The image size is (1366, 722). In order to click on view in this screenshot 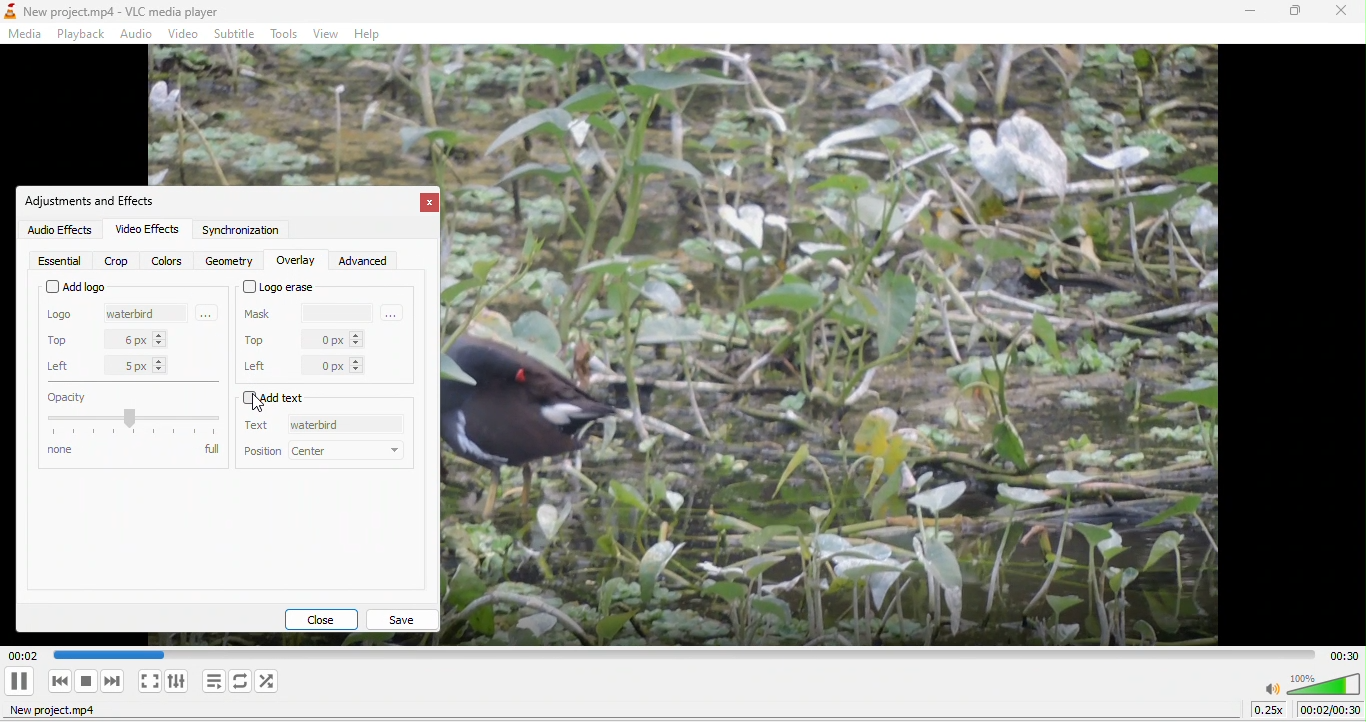, I will do `click(327, 33)`.